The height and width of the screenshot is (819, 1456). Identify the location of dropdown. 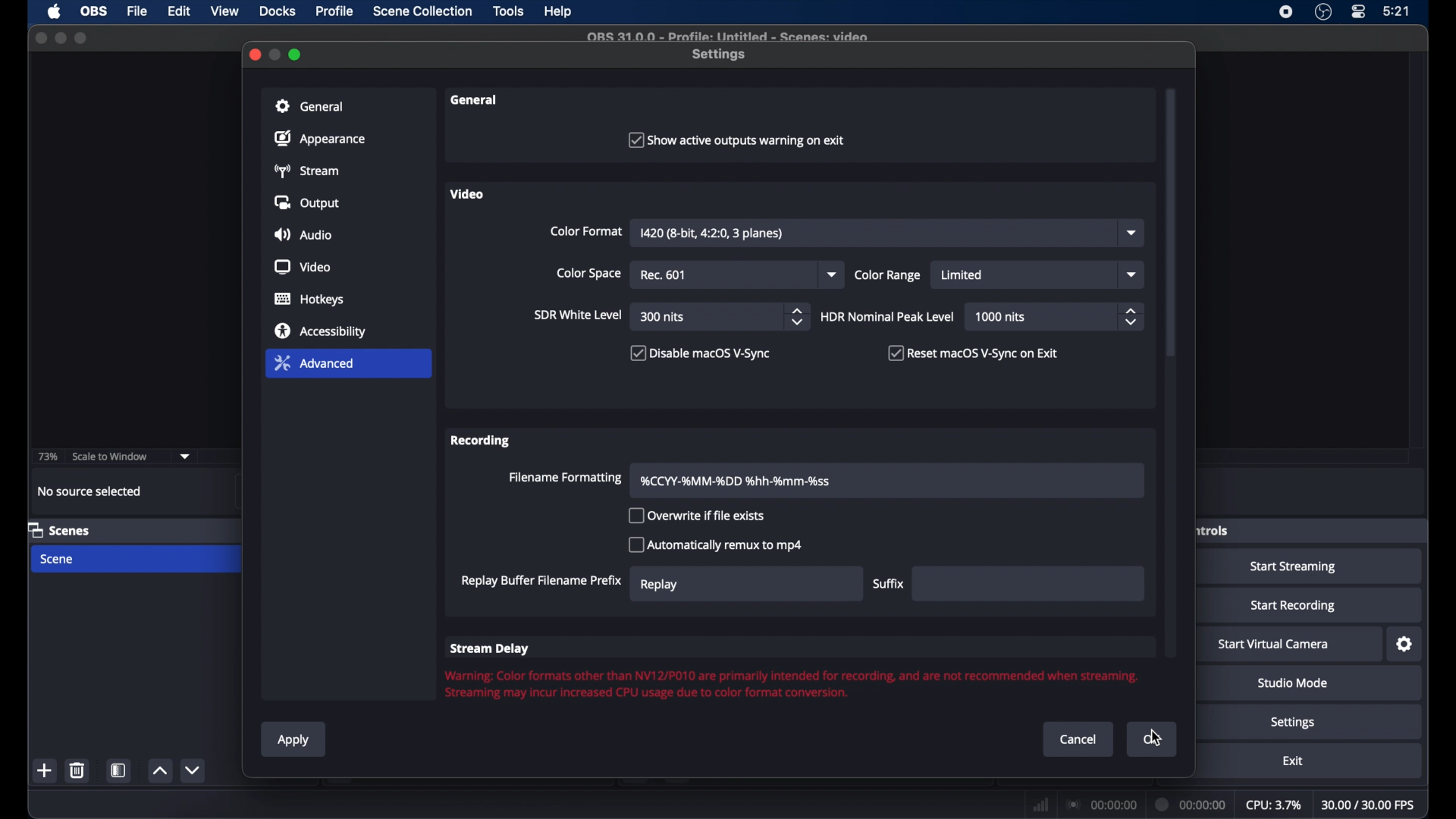
(1132, 232).